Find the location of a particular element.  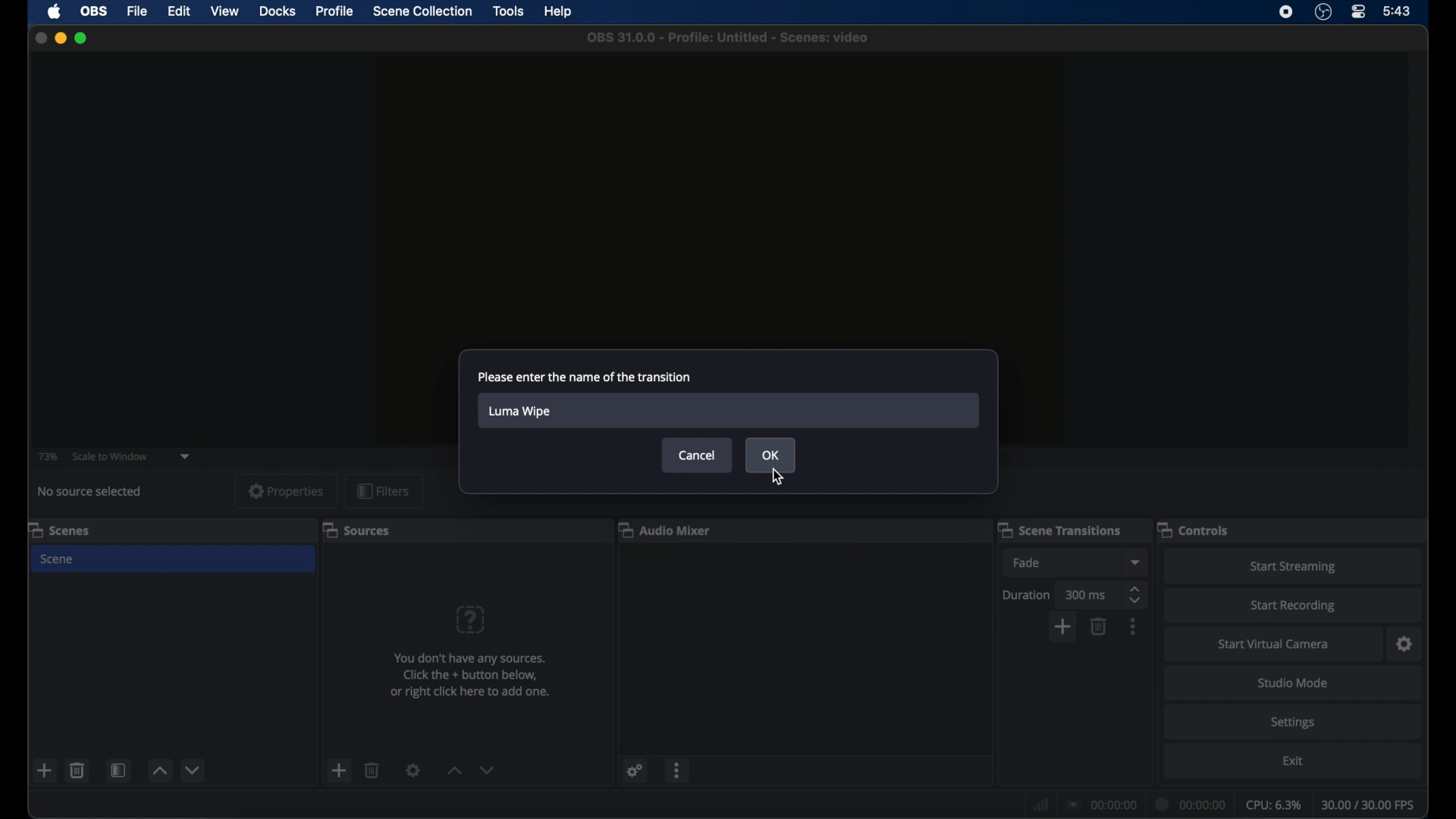

sources is located at coordinates (356, 529).